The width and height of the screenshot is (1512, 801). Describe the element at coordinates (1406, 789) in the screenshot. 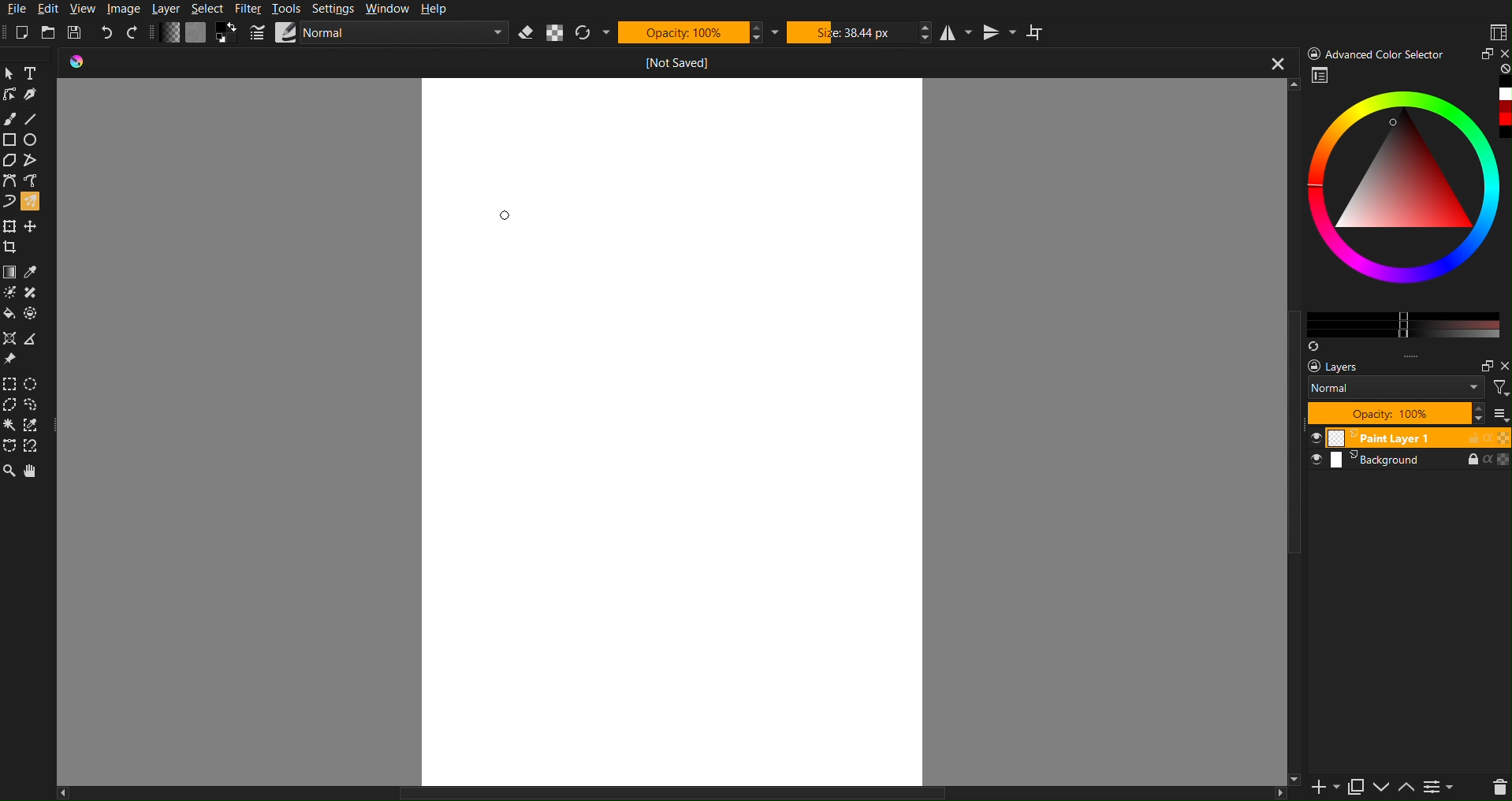

I see `up` at that location.